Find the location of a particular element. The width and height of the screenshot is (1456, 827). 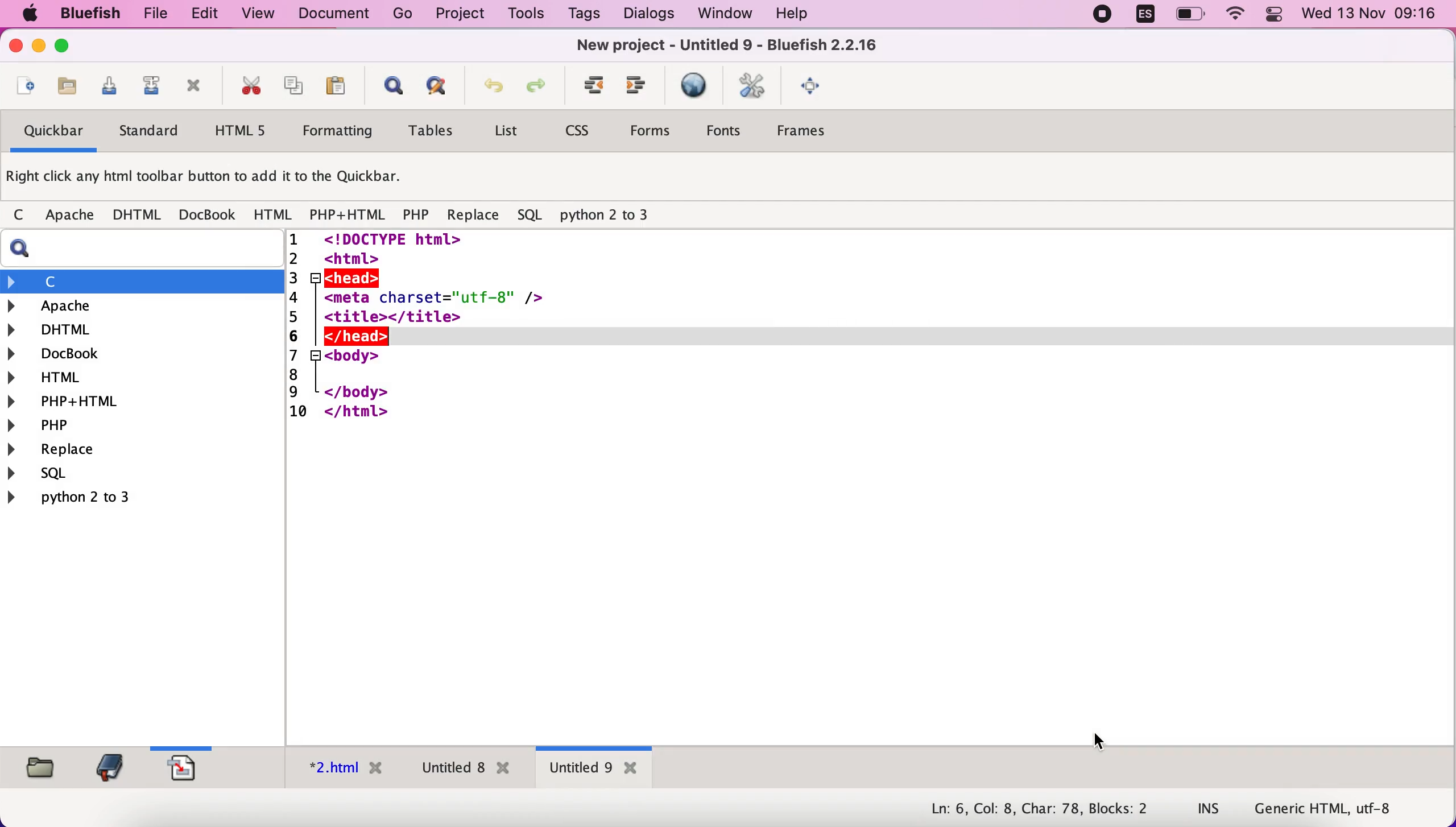

view is located at coordinates (259, 13).